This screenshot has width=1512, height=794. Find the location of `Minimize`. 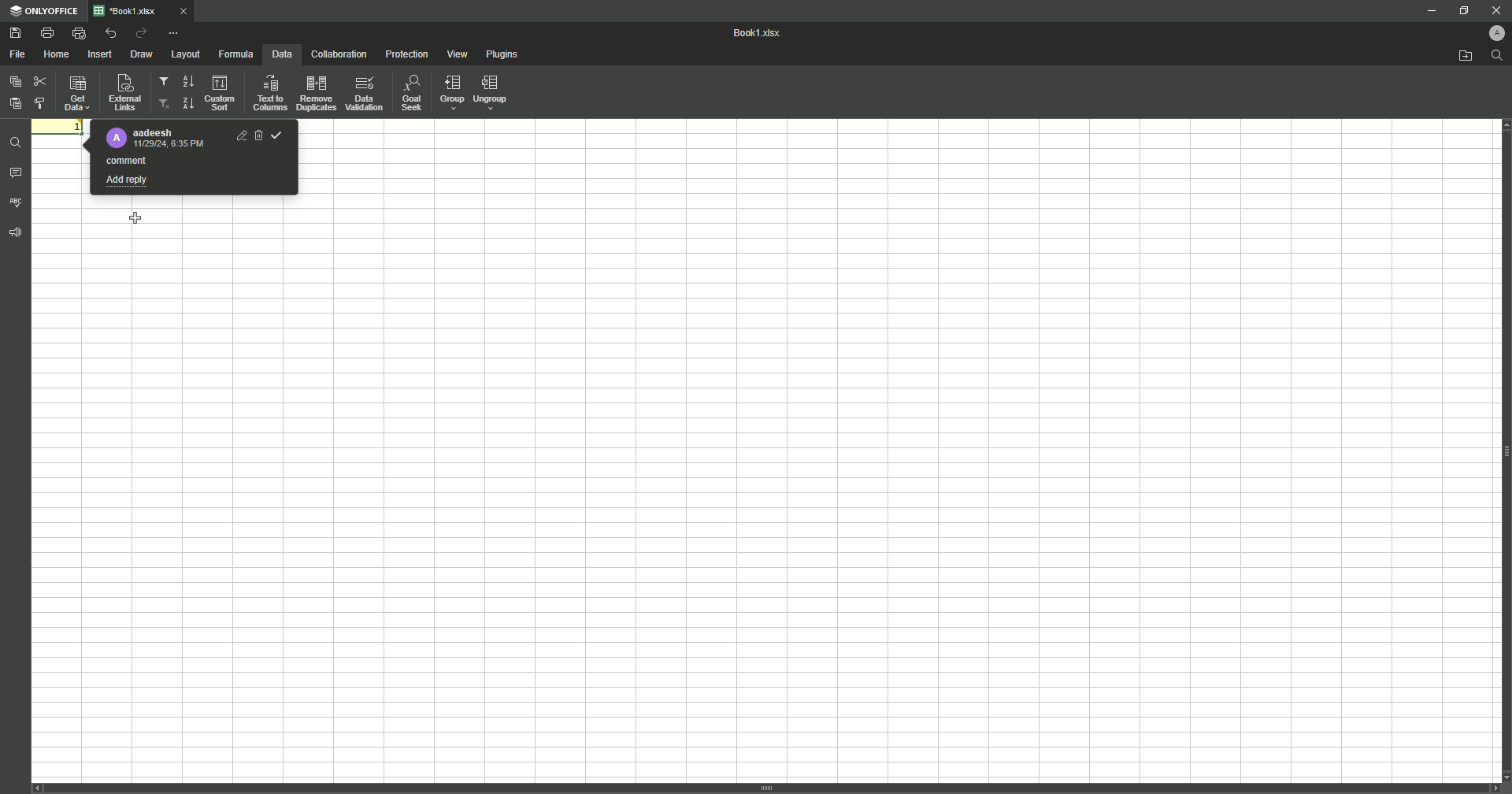

Minimize is located at coordinates (1424, 12).